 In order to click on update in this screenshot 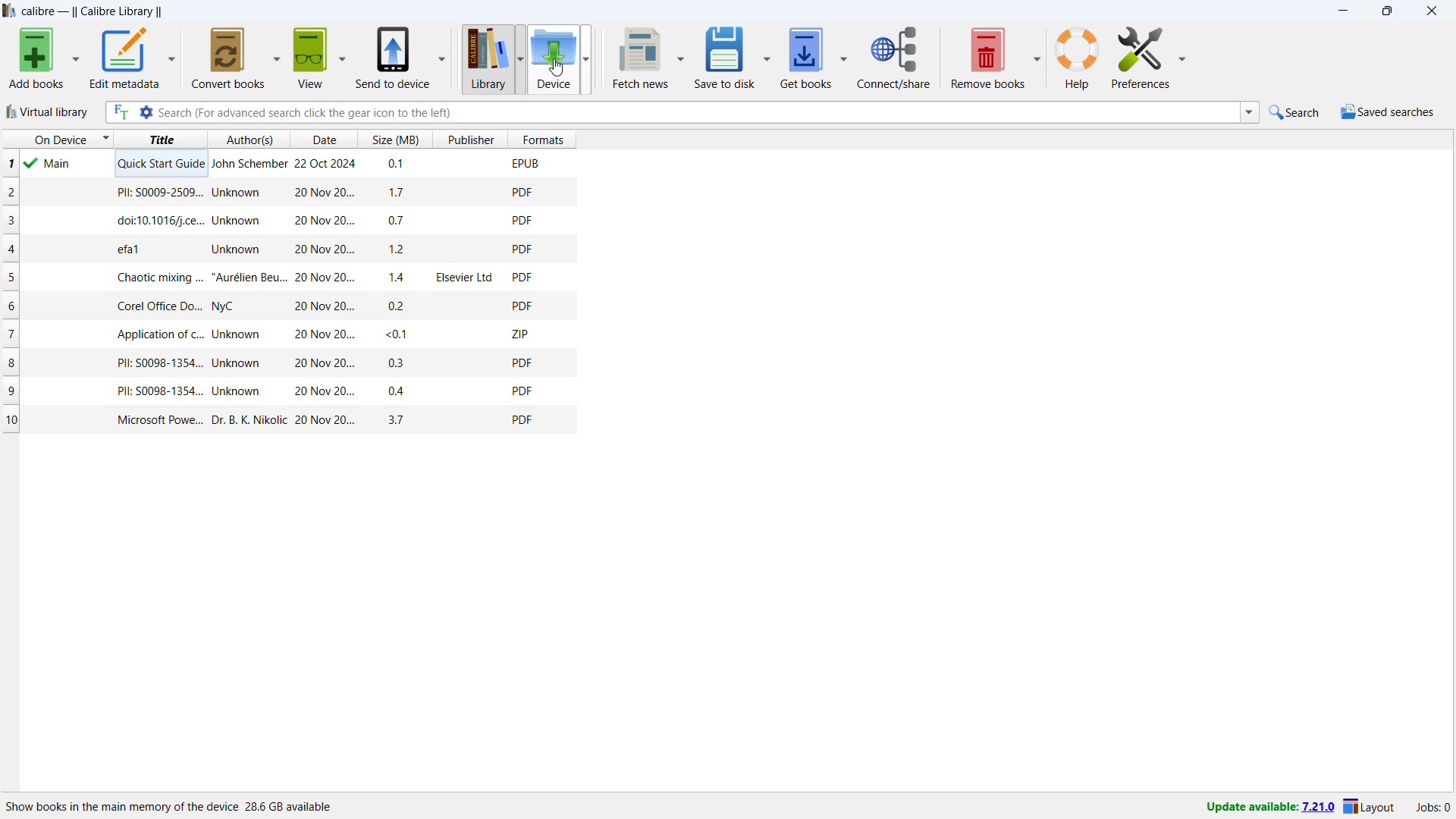, I will do `click(1269, 808)`.